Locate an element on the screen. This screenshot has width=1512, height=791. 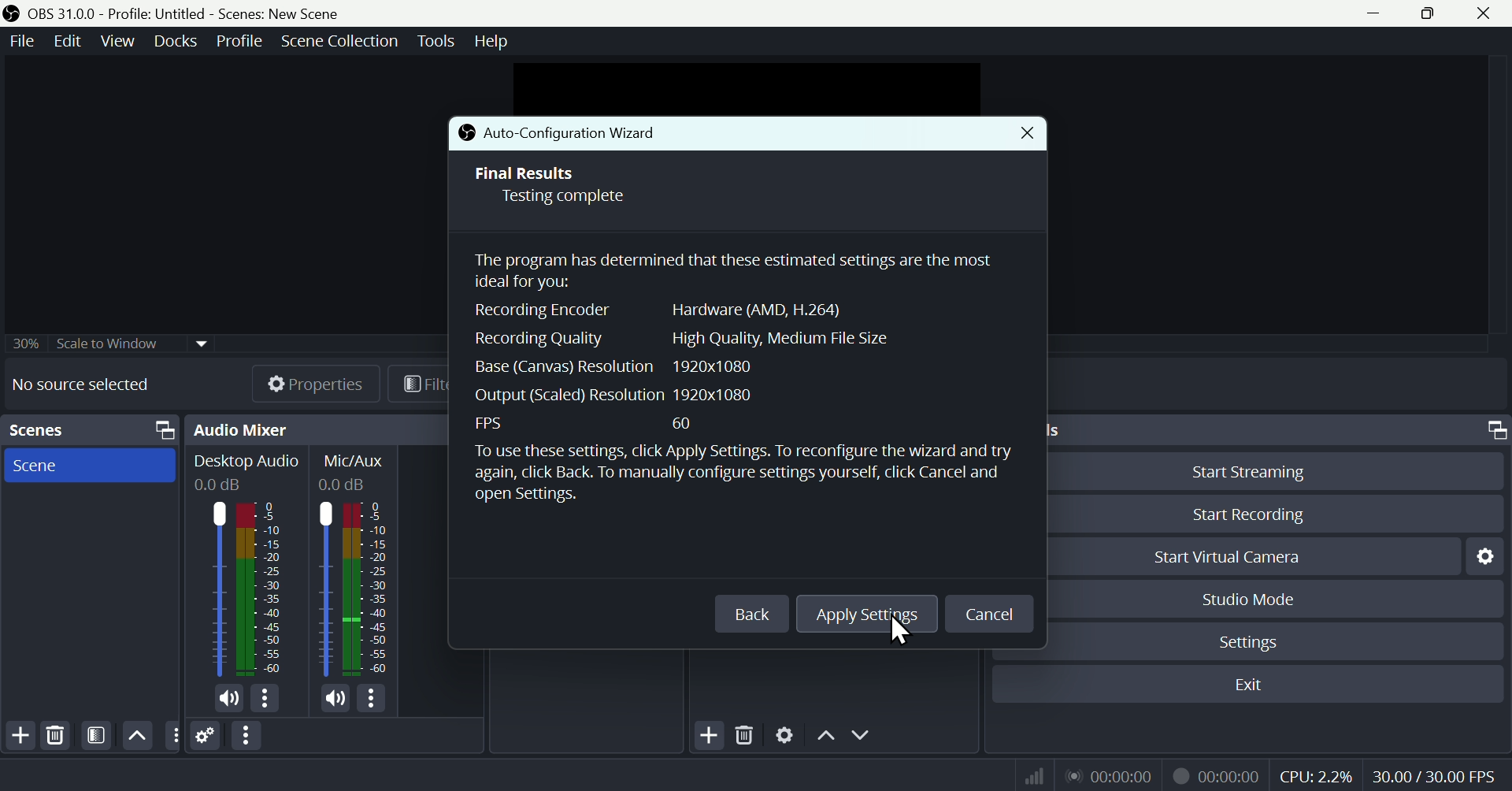
icon is located at coordinates (13, 14).